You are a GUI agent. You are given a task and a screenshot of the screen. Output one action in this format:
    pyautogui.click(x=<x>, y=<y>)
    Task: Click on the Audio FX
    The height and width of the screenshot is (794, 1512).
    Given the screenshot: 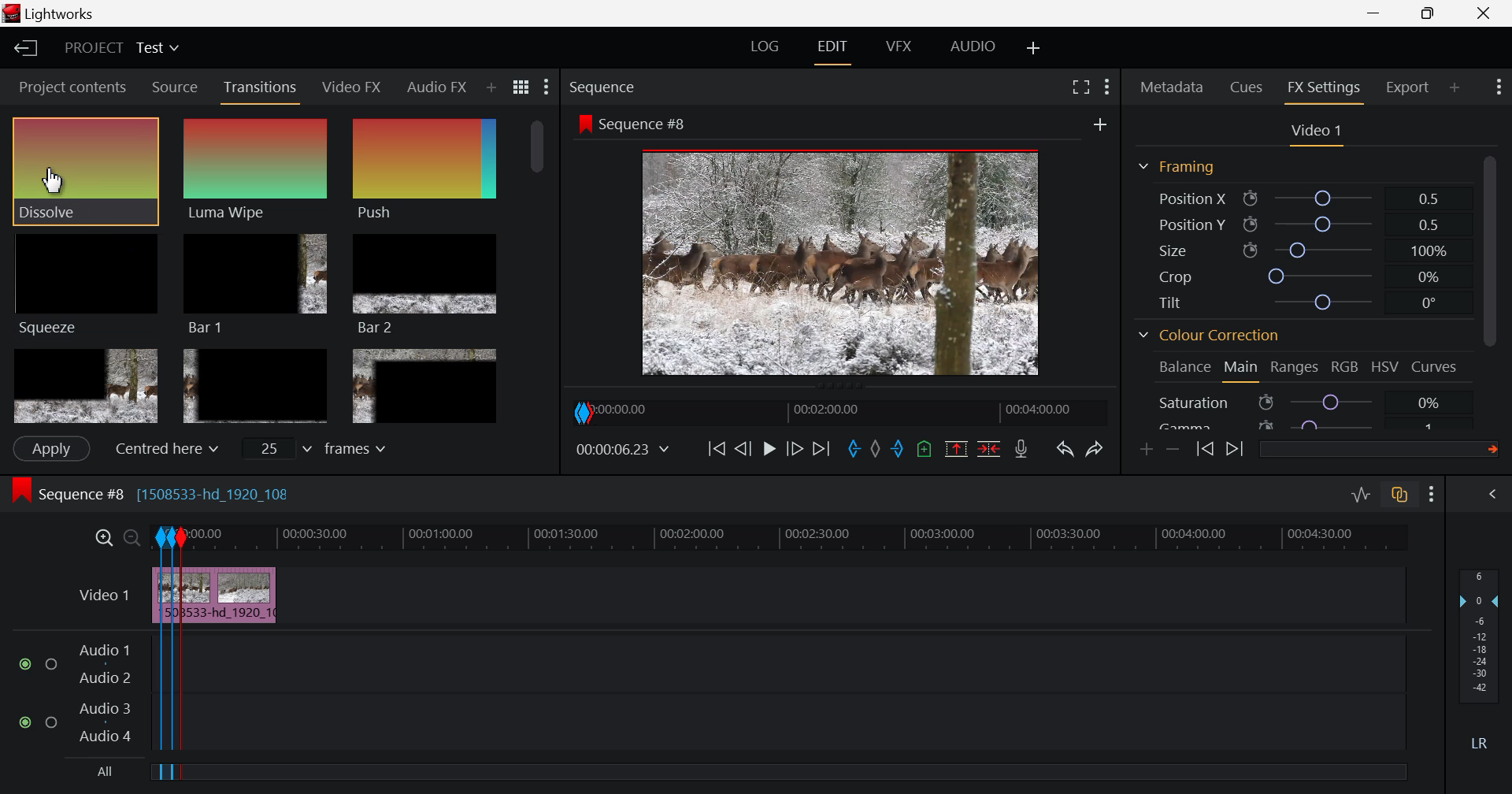 What is the action you would take?
    pyautogui.click(x=435, y=88)
    